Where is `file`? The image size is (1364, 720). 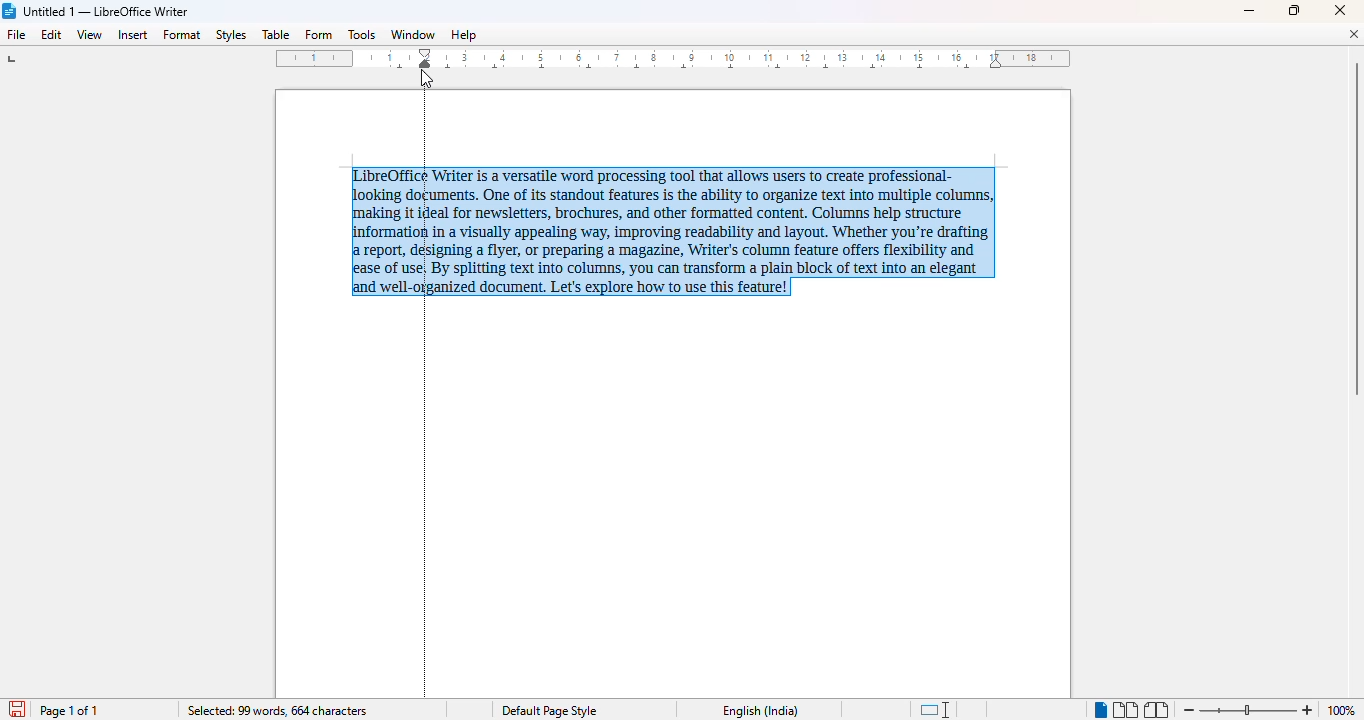 file is located at coordinates (15, 34).